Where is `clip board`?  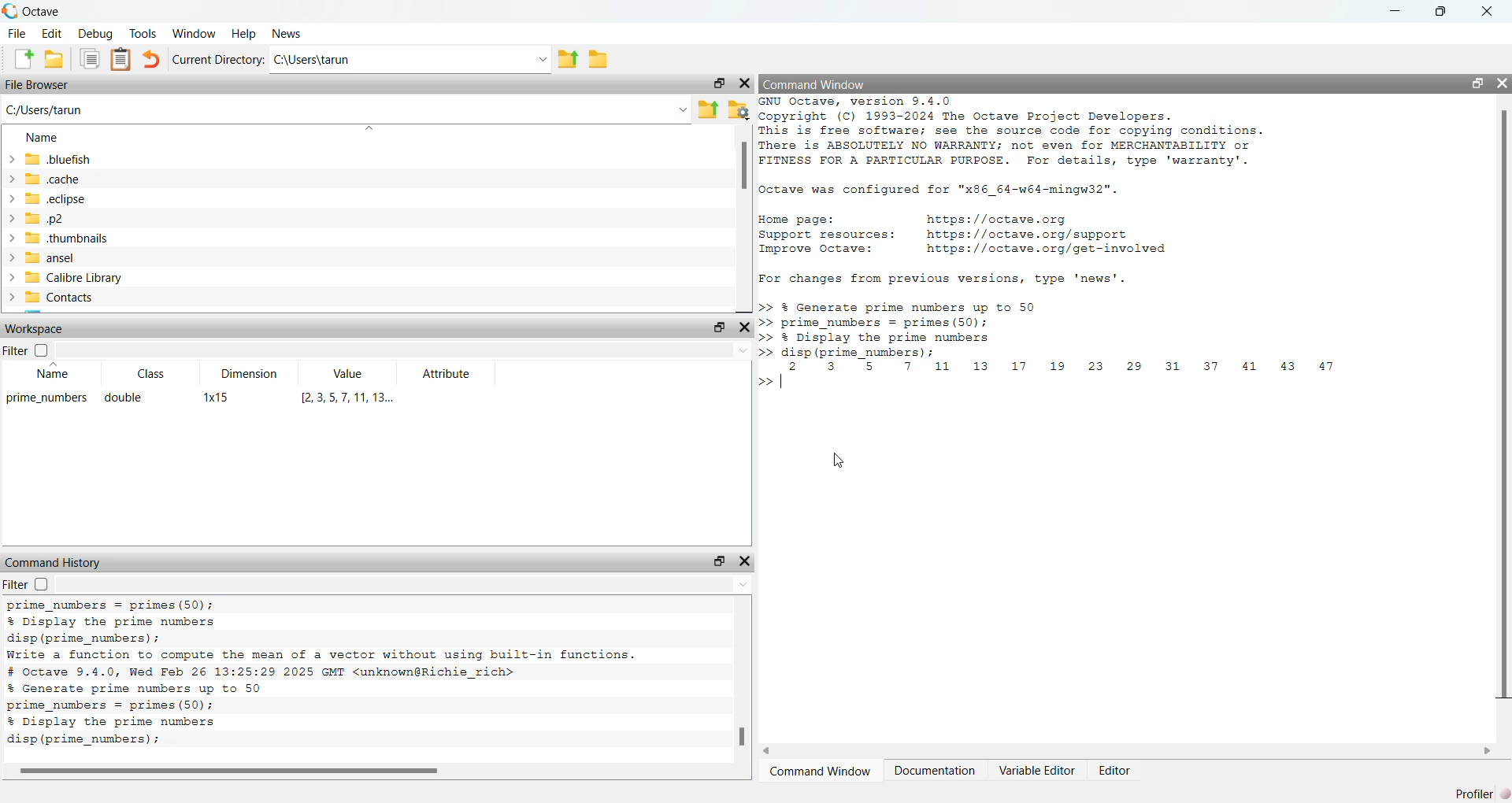
clip board is located at coordinates (120, 59).